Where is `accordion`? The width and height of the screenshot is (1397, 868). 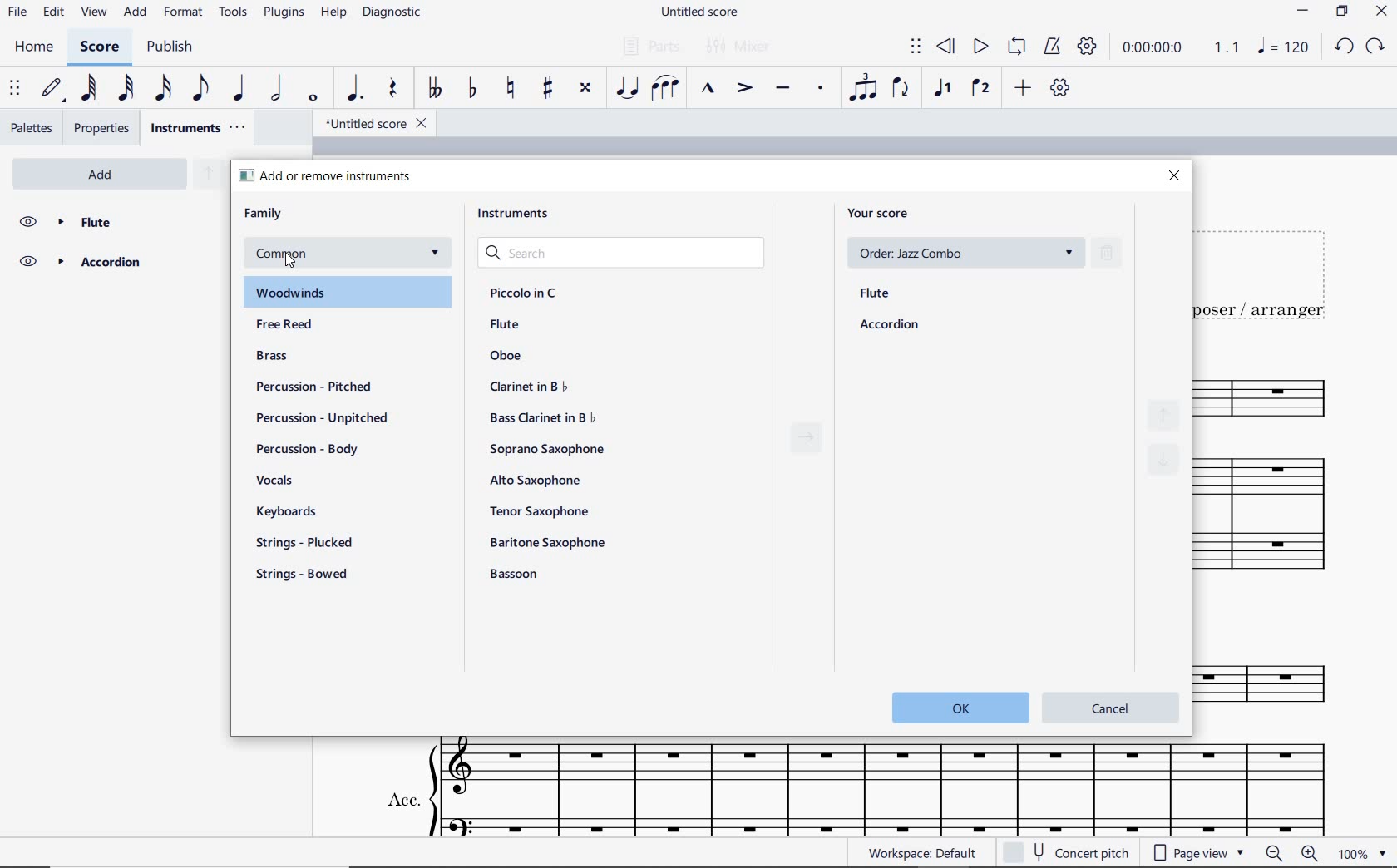 accordion is located at coordinates (890, 326).